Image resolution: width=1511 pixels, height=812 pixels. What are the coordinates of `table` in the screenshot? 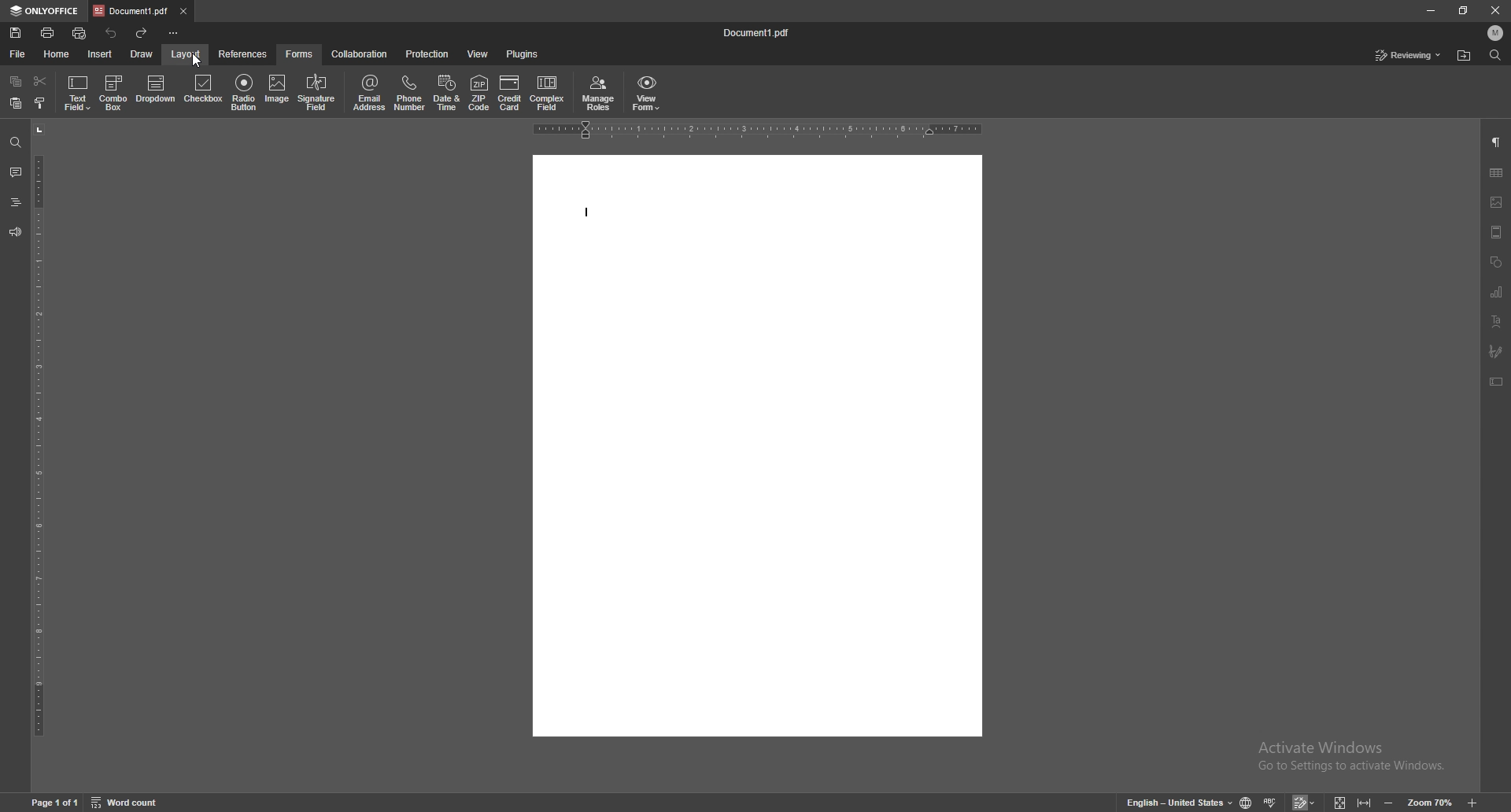 It's located at (1496, 172).